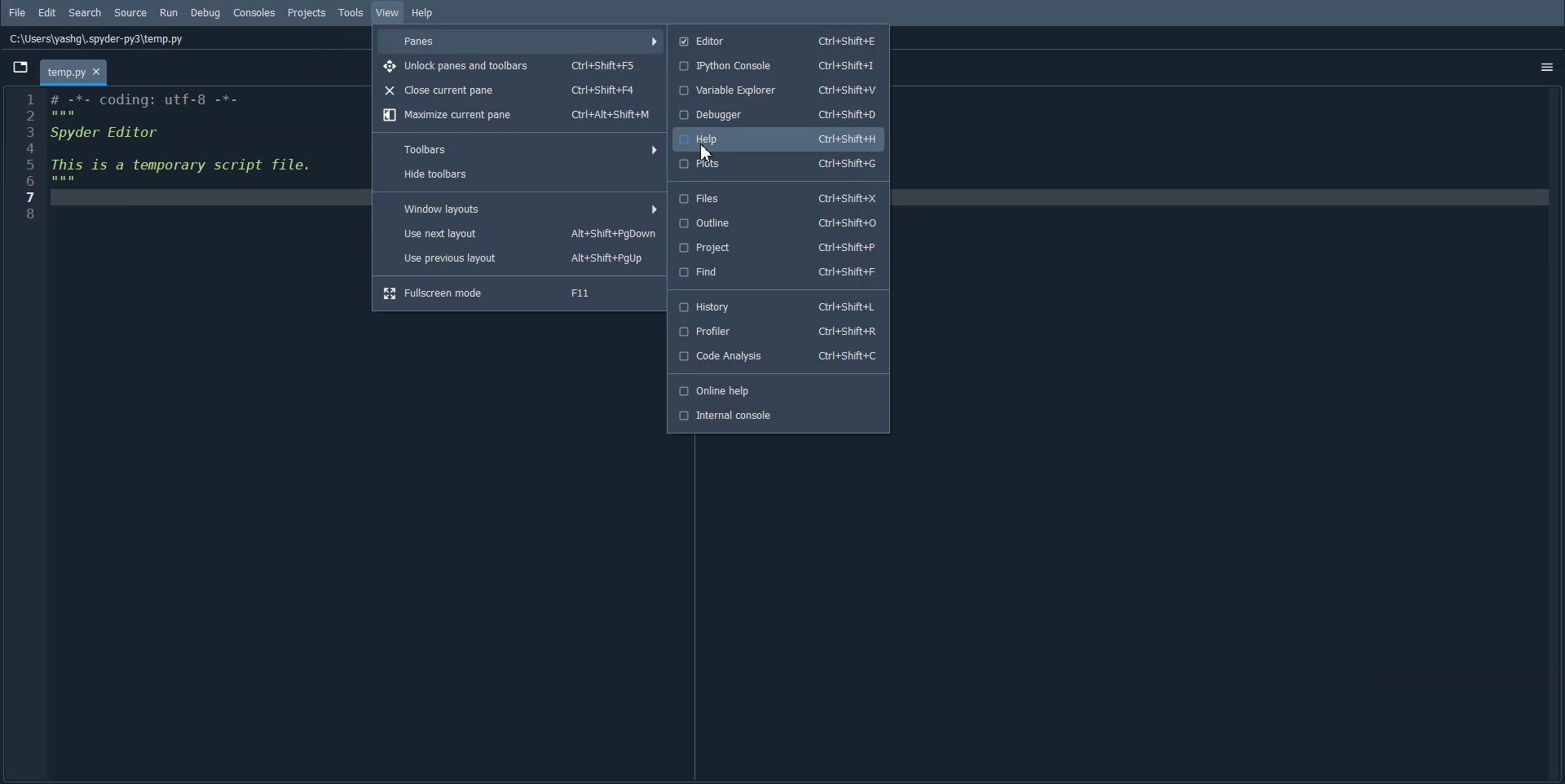  What do you see at coordinates (778, 197) in the screenshot?
I see `Files` at bounding box center [778, 197].